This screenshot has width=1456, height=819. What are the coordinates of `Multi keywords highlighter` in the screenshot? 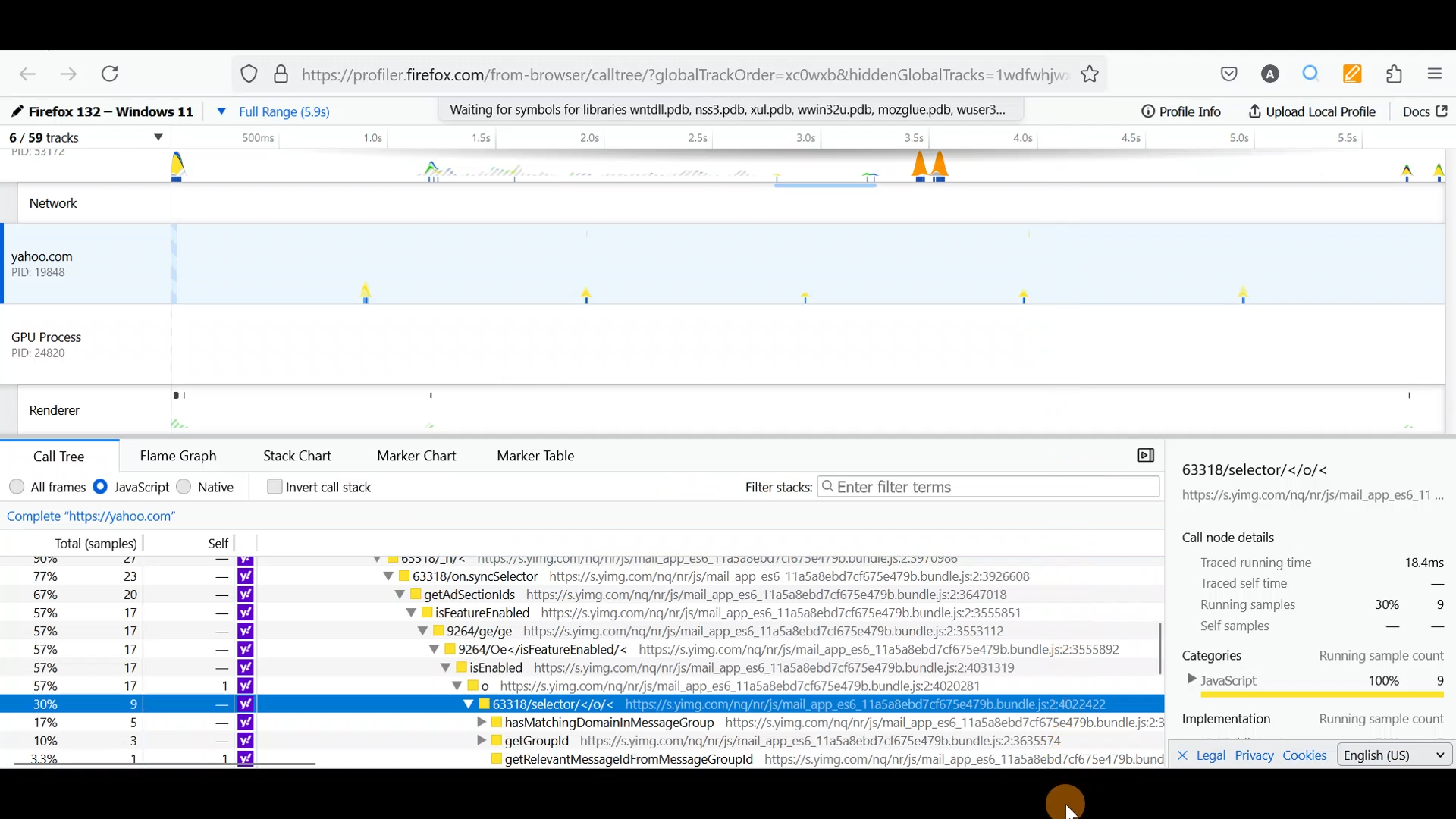 It's located at (1357, 74).